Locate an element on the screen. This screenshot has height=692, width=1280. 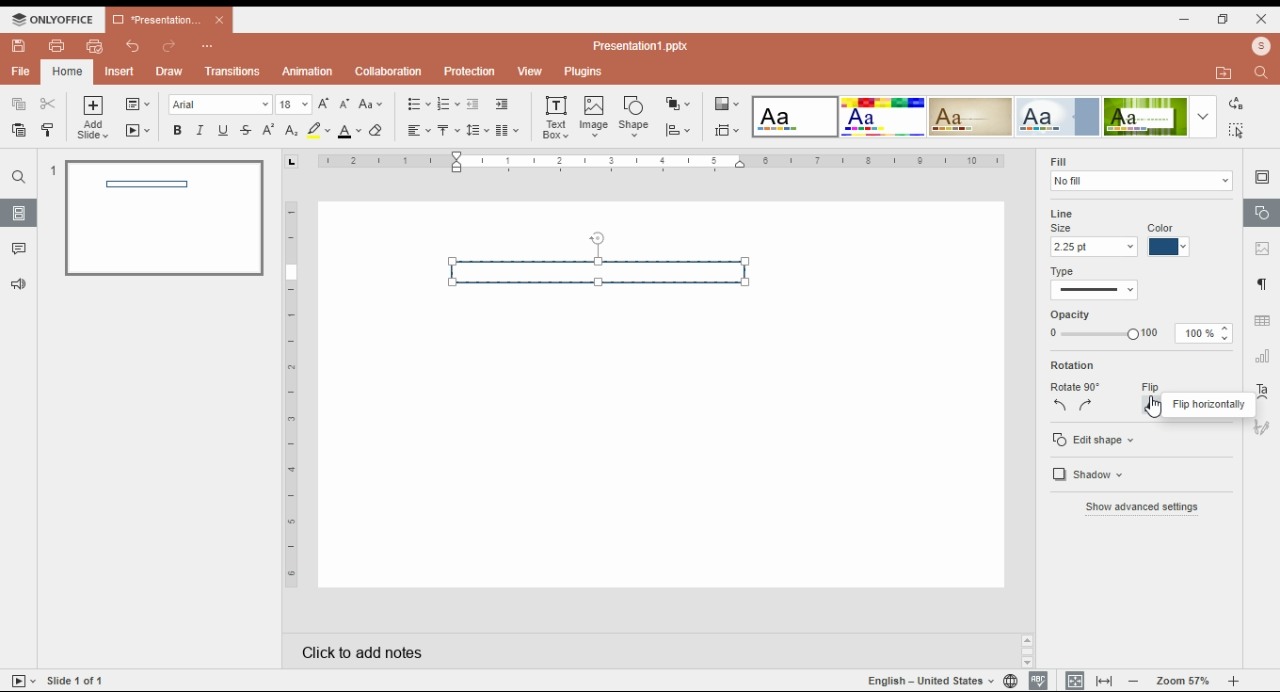
decrease indent is located at coordinates (473, 104).